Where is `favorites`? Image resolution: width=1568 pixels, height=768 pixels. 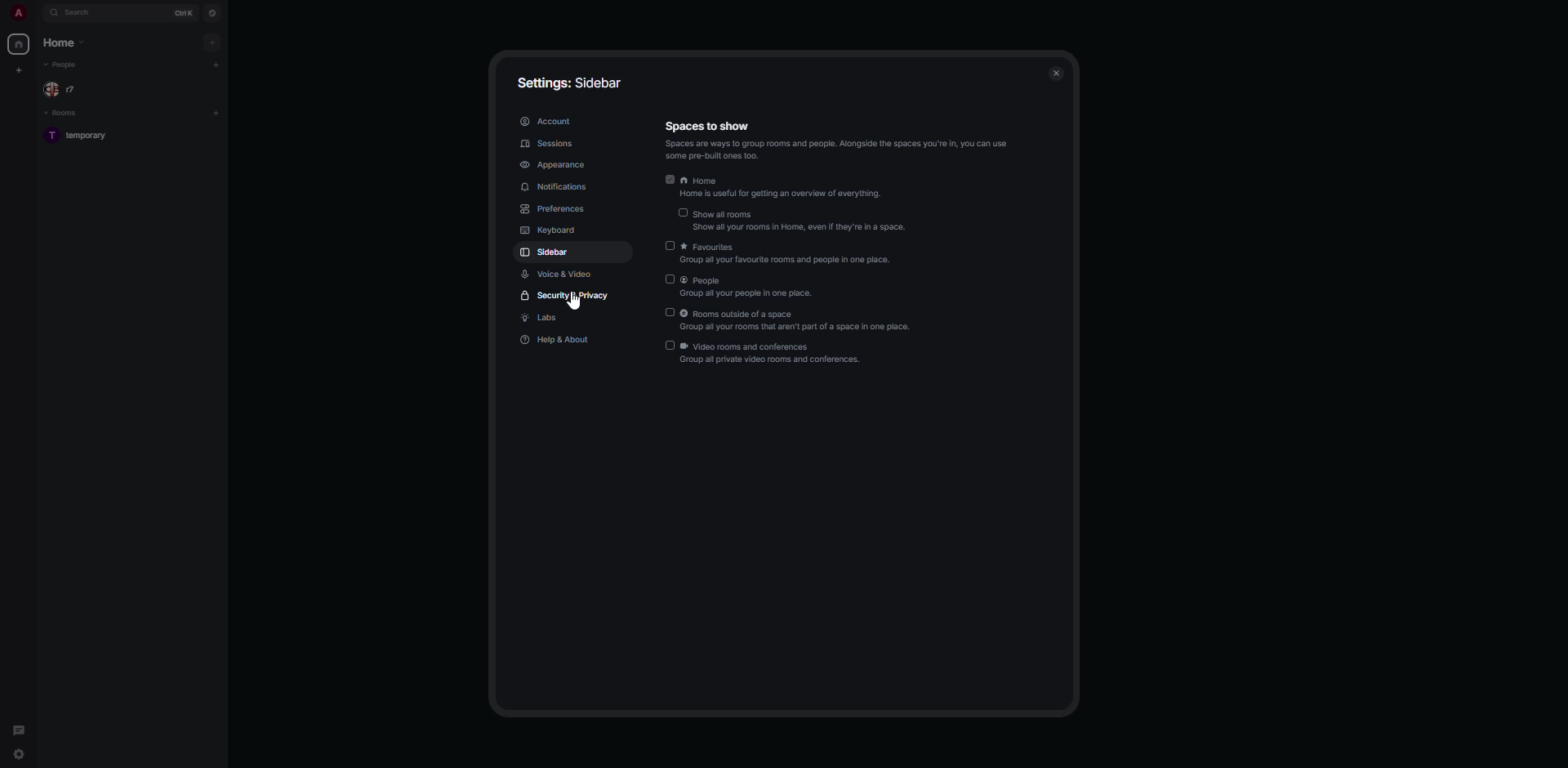 favorites is located at coordinates (786, 253).